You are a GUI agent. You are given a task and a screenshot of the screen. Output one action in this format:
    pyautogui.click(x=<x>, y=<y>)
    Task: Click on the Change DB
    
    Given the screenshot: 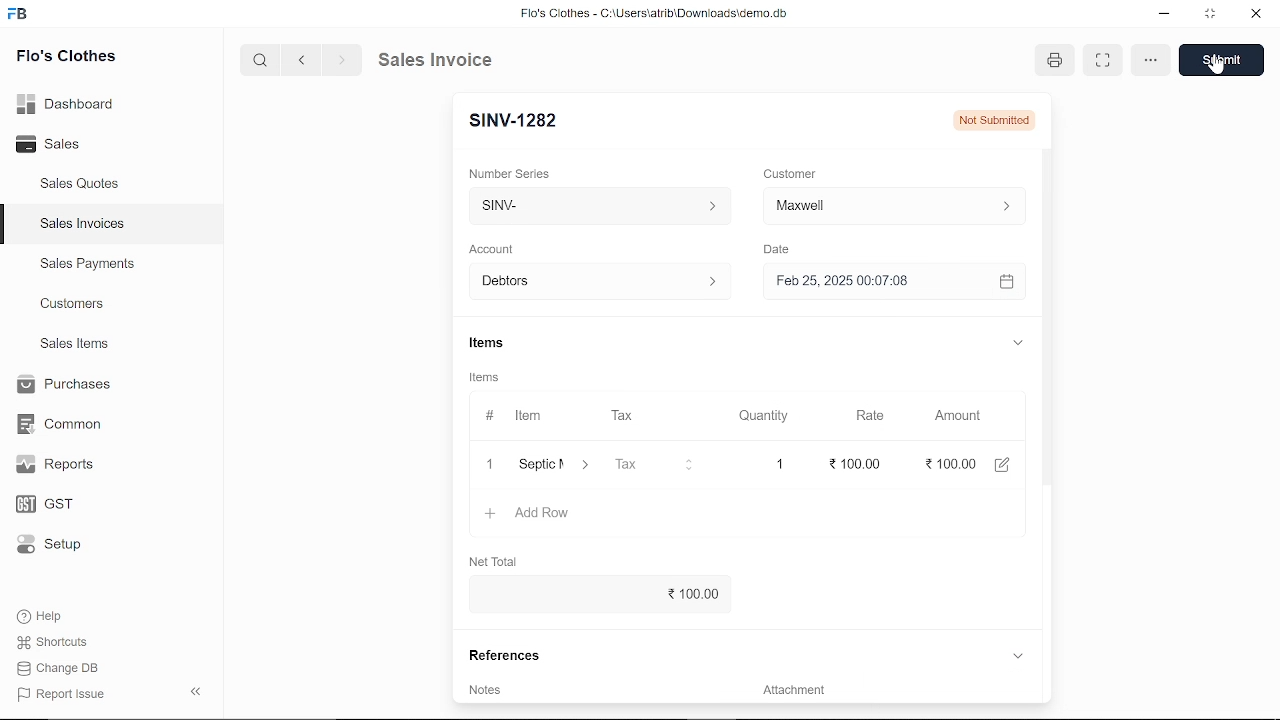 What is the action you would take?
    pyautogui.click(x=60, y=667)
    